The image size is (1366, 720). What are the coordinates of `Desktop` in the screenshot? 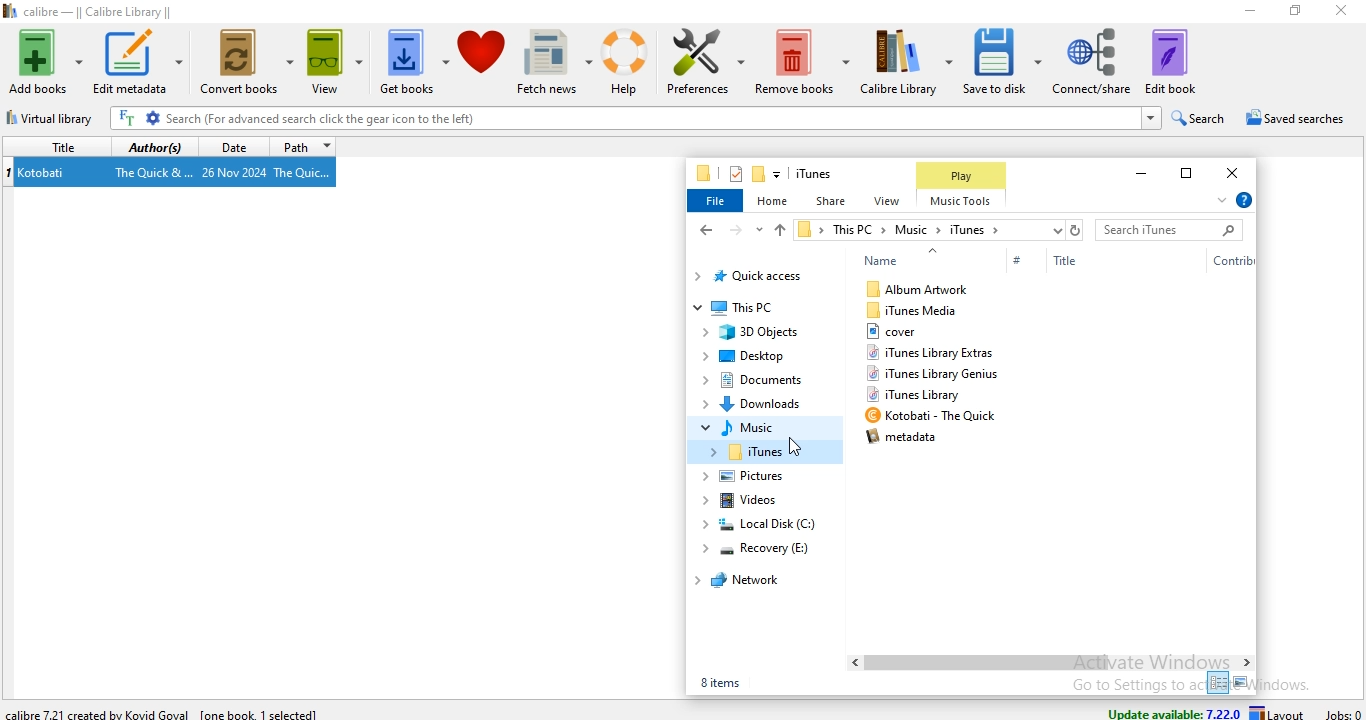 It's located at (753, 359).